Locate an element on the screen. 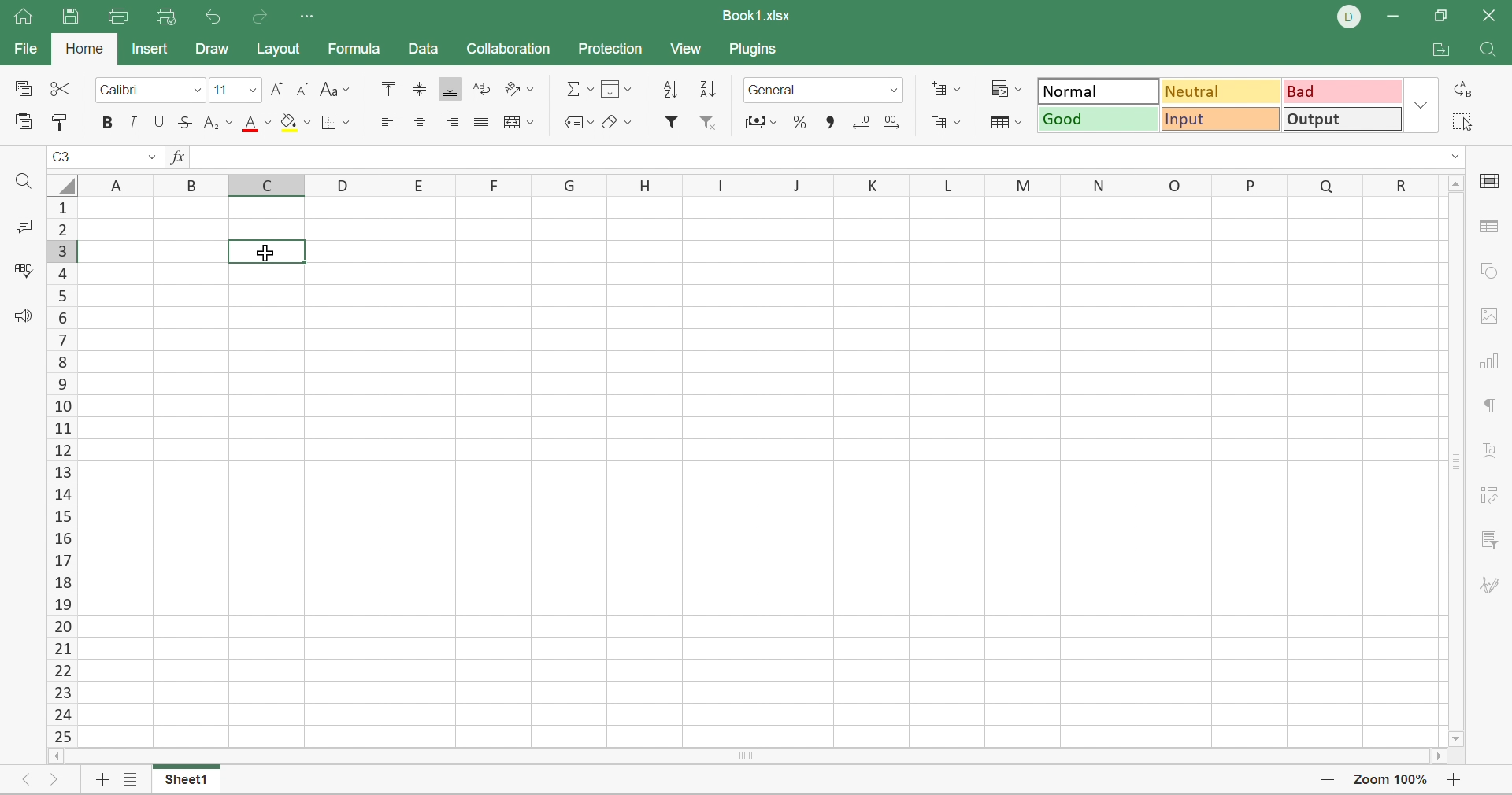 The height and width of the screenshot is (795, 1512). Descending order is located at coordinates (706, 89).